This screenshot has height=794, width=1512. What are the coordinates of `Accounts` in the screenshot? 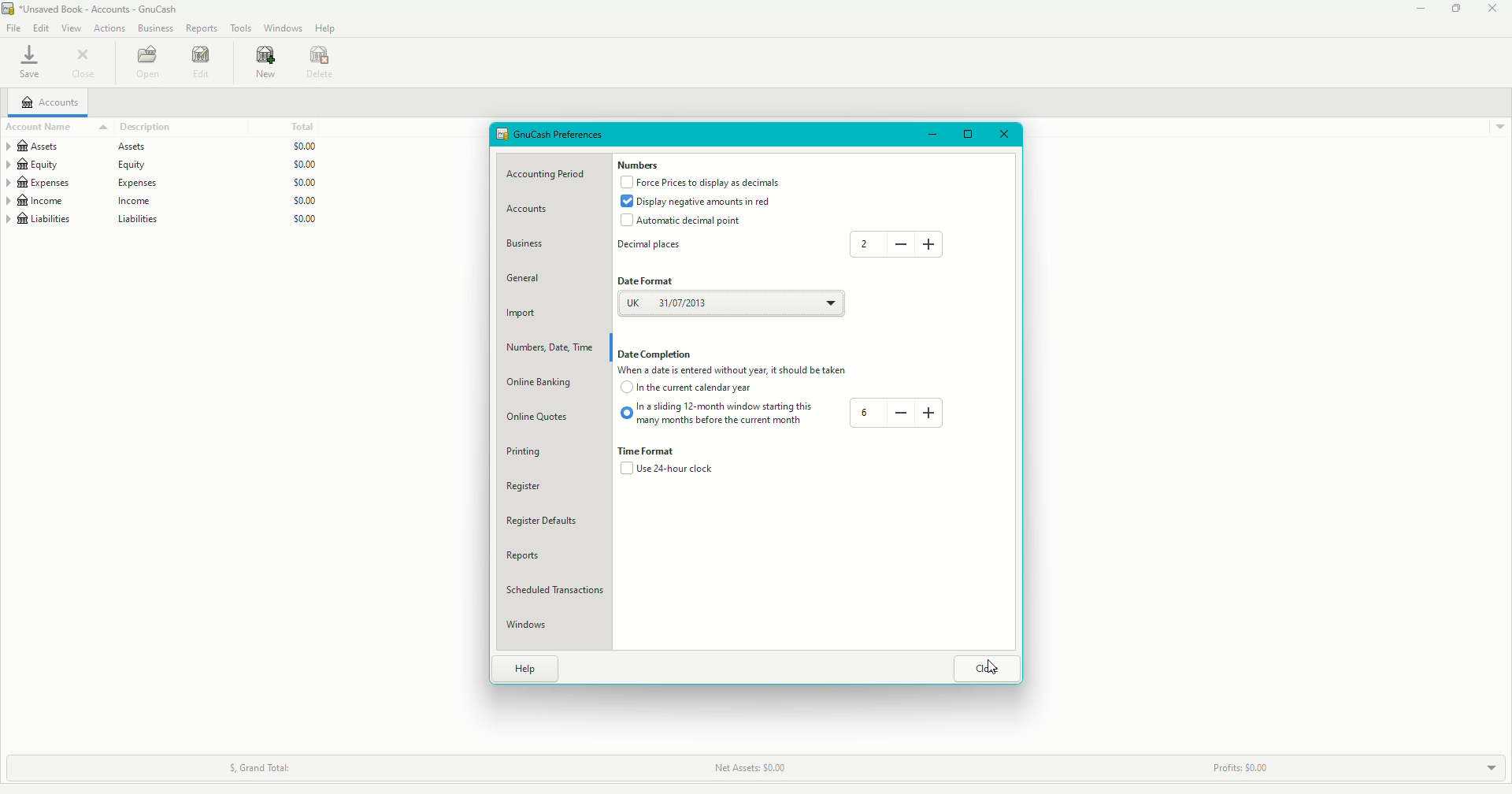 It's located at (51, 103).